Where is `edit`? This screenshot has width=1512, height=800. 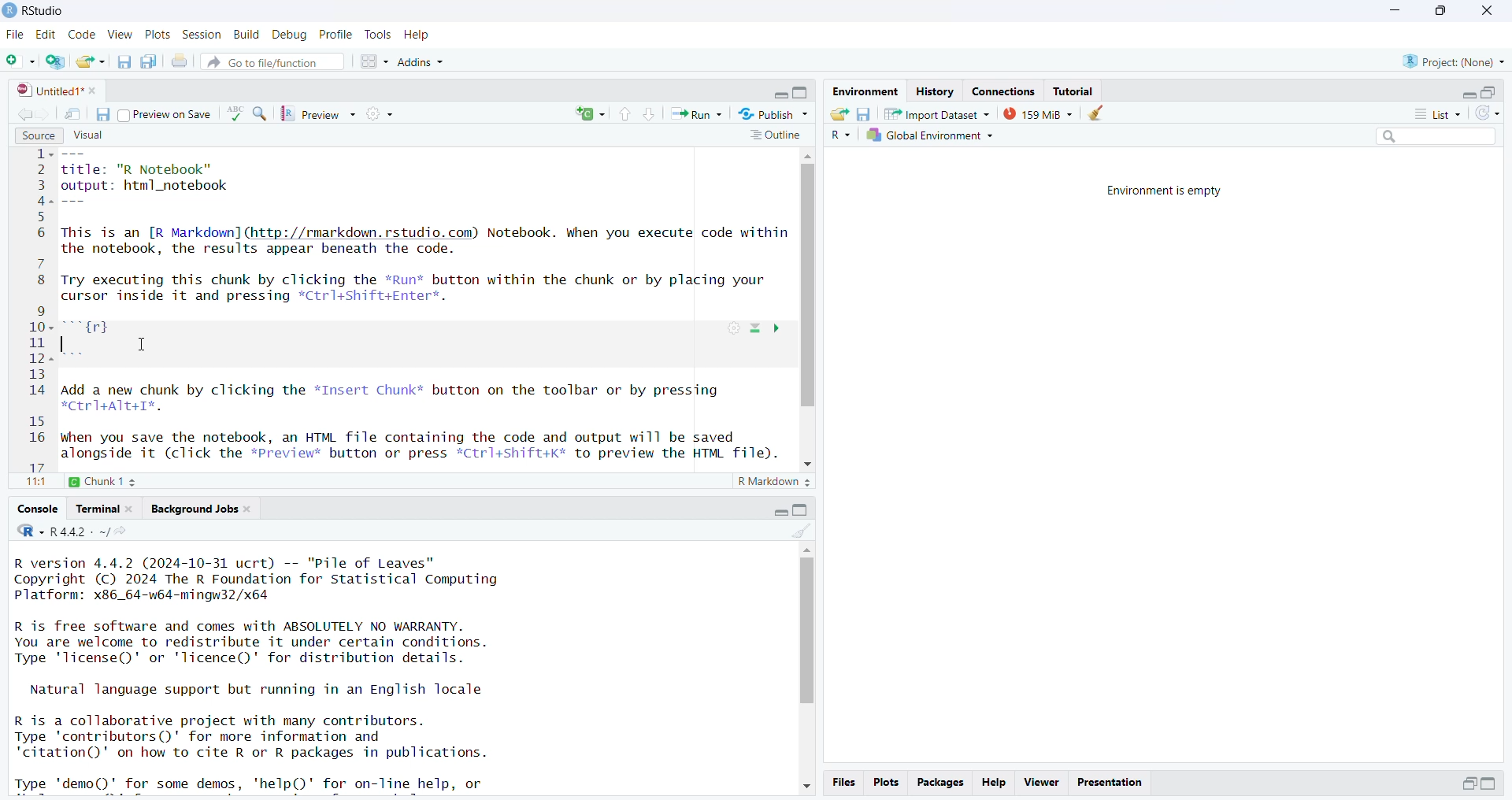
edit is located at coordinates (49, 35).